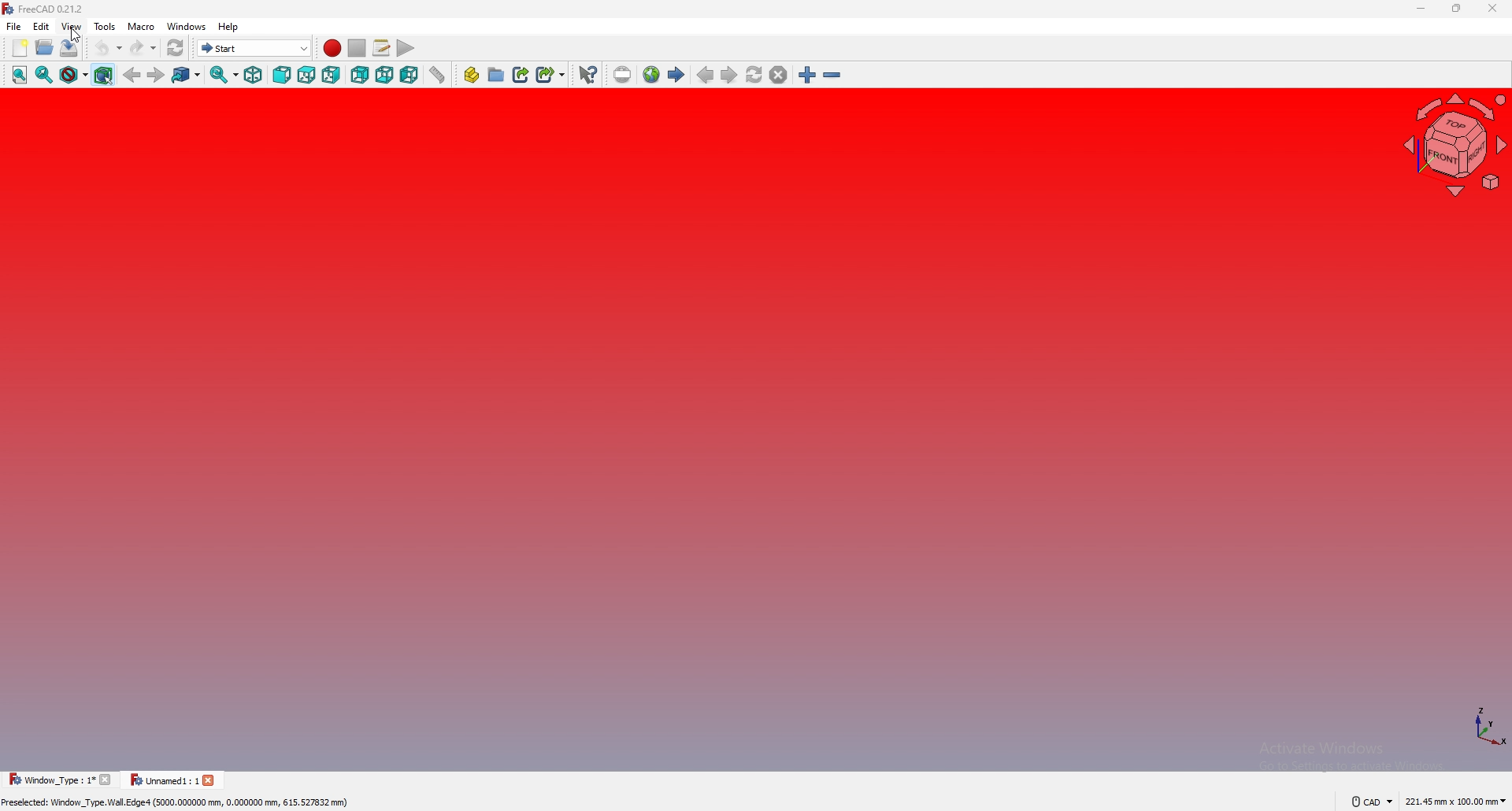  What do you see at coordinates (706, 76) in the screenshot?
I see `previous page` at bounding box center [706, 76].